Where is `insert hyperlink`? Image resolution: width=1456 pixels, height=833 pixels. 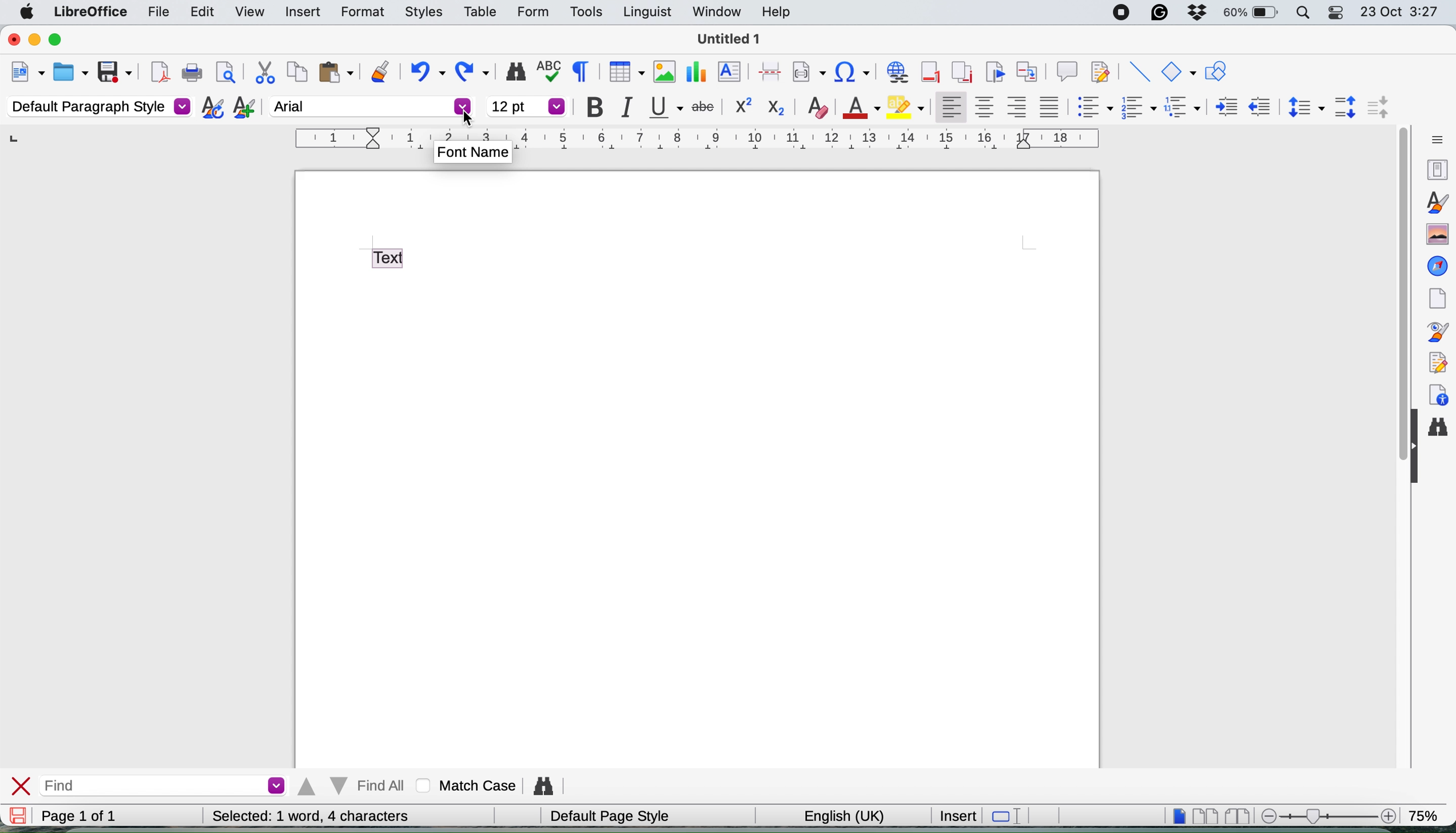 insert hyperlink is located at coordinates (895, 73).